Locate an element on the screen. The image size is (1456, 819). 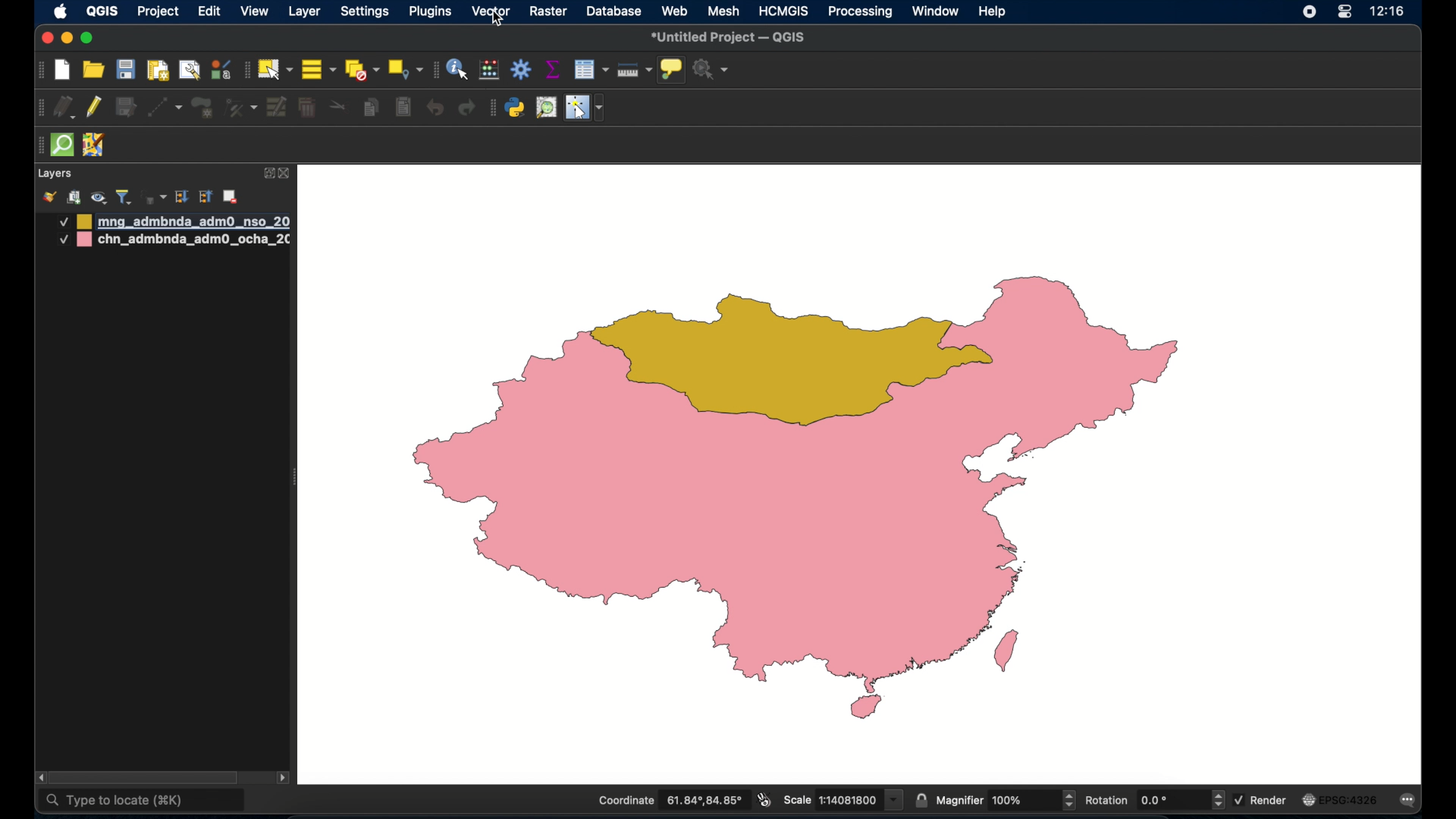
open layer styling panel is located at coordinates (49, 197).